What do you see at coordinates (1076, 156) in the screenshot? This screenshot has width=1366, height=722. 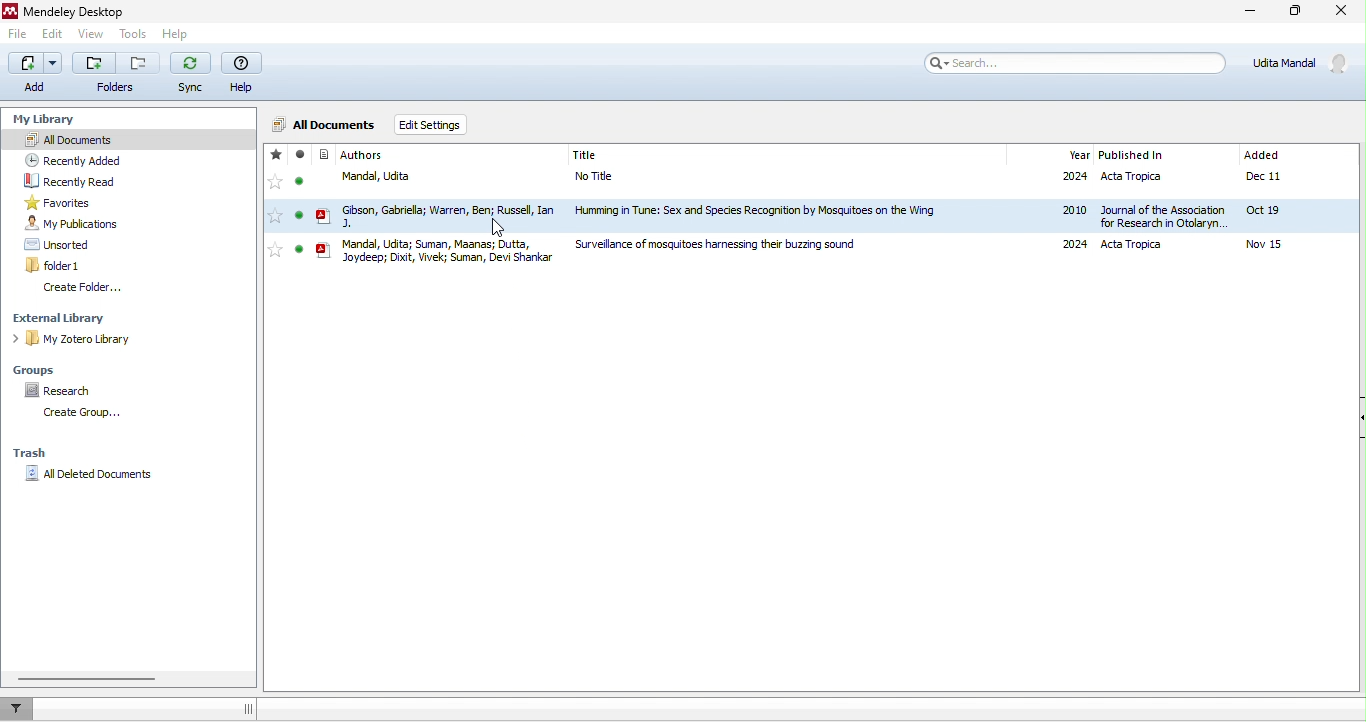 I see `year` at bounding box center [1076, 156].